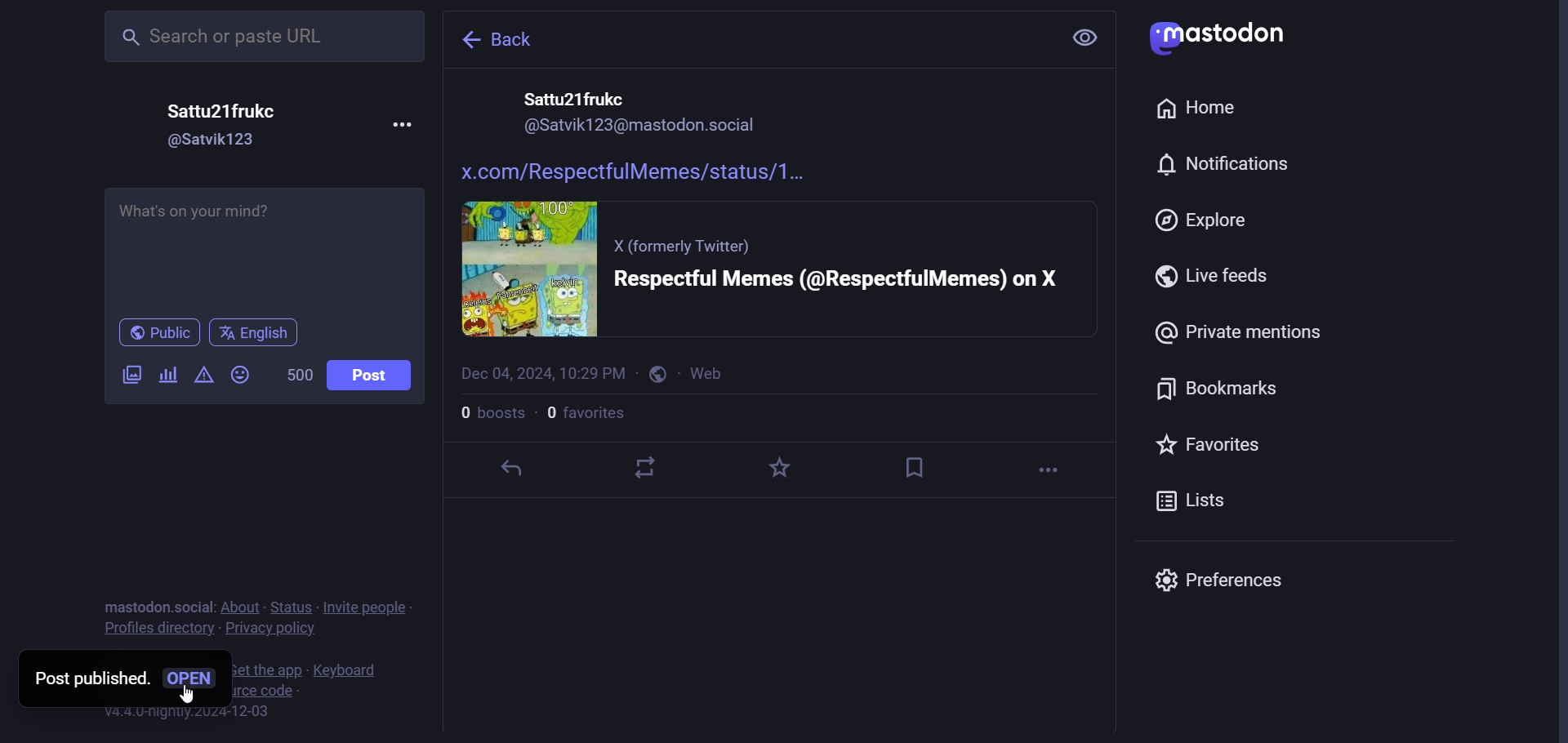 Image resolution: width=1568 pixels, height=743 pixels. I want to click on keyboard, so click(348, 670).